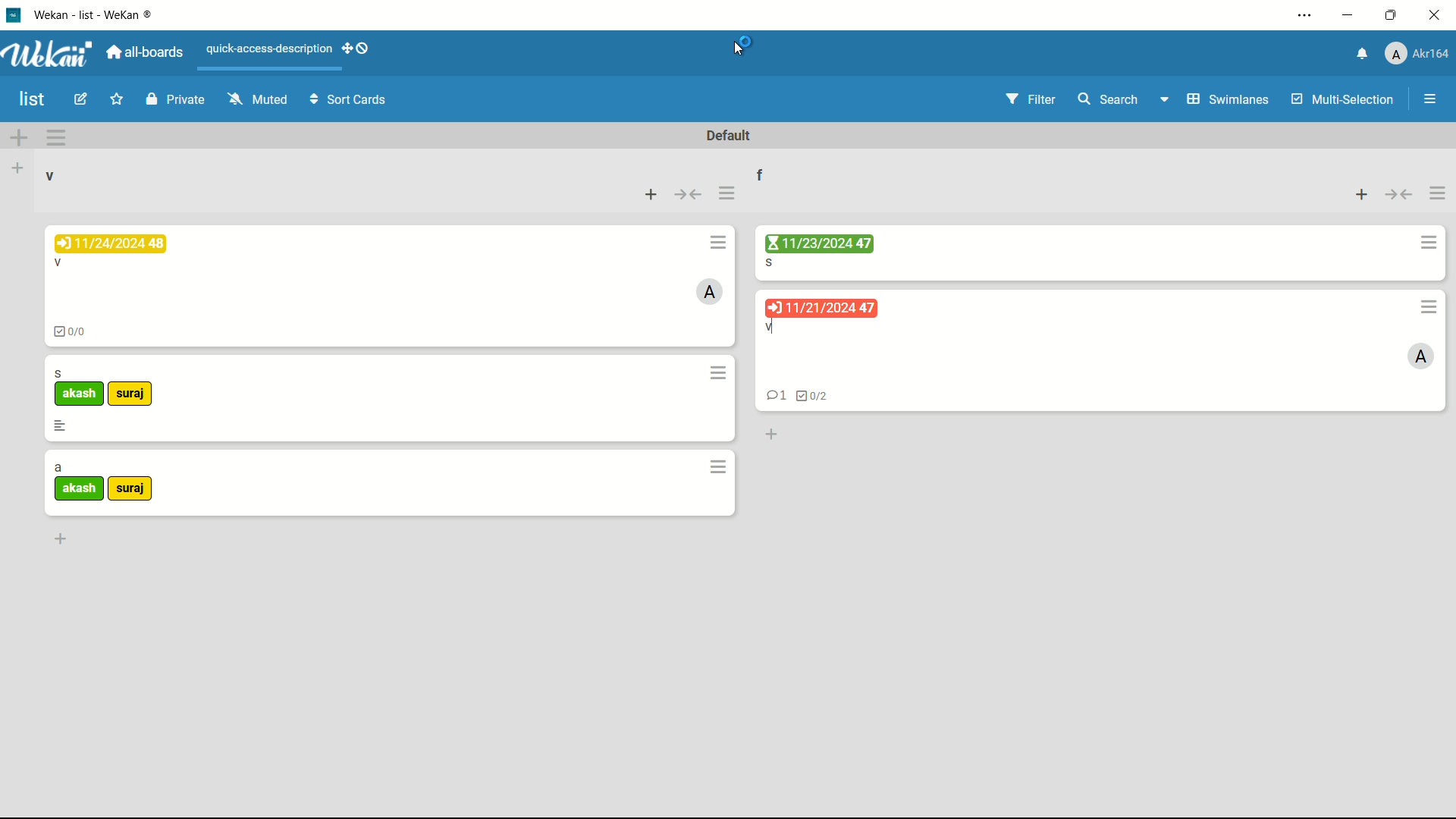 Image resolution: width=1456 pixels, height=819 pixels. I want to click on cursor, so click(740, 46).